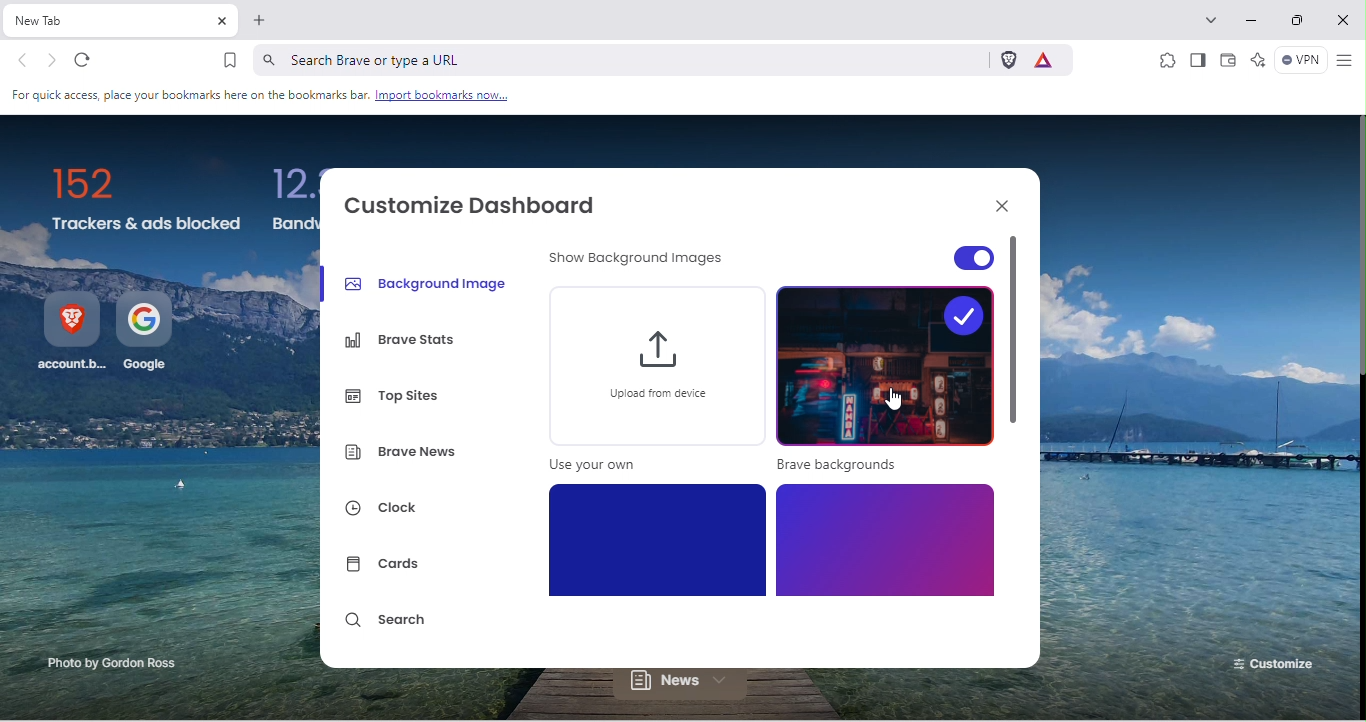 The width and height of the screenshot is (1366, 722). Describe the element at coordinates (98, 665) in the screenshot. I see `Photo by lori jean` at that location.